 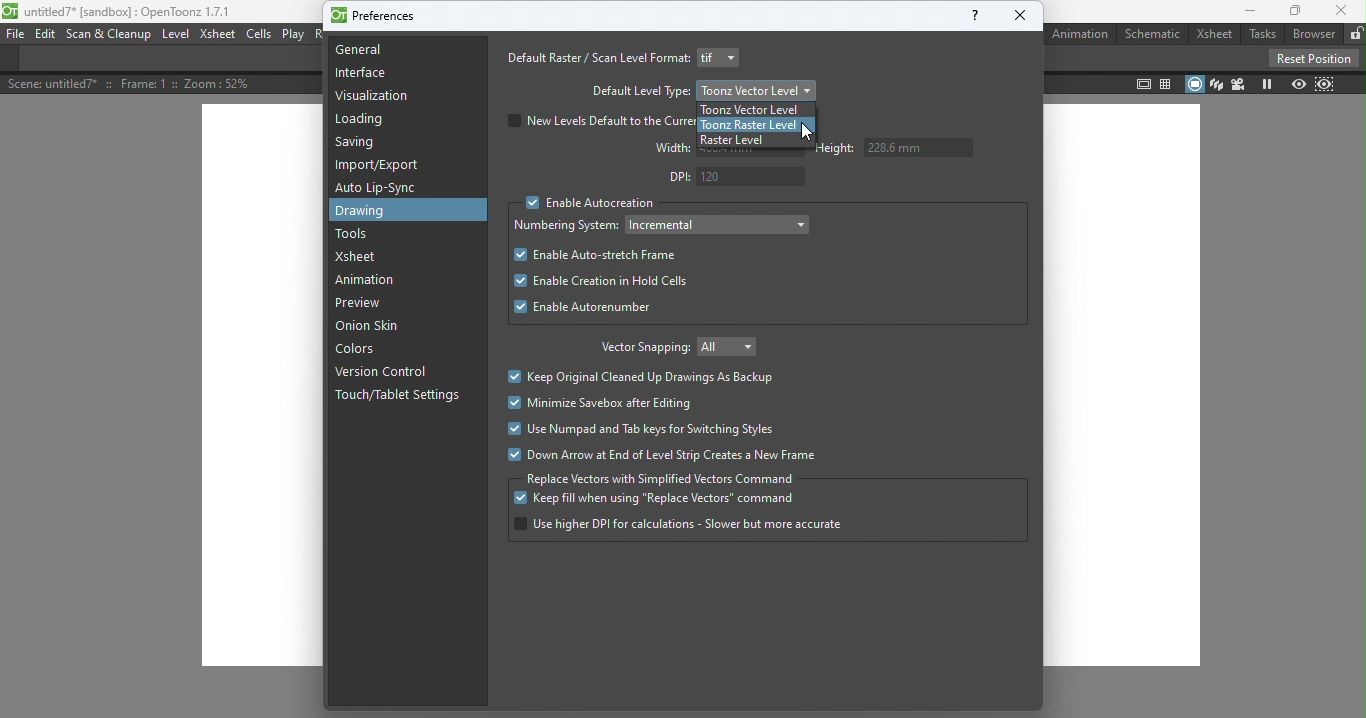 I want to click on Toonz vector level, so click(x=757, y=89).